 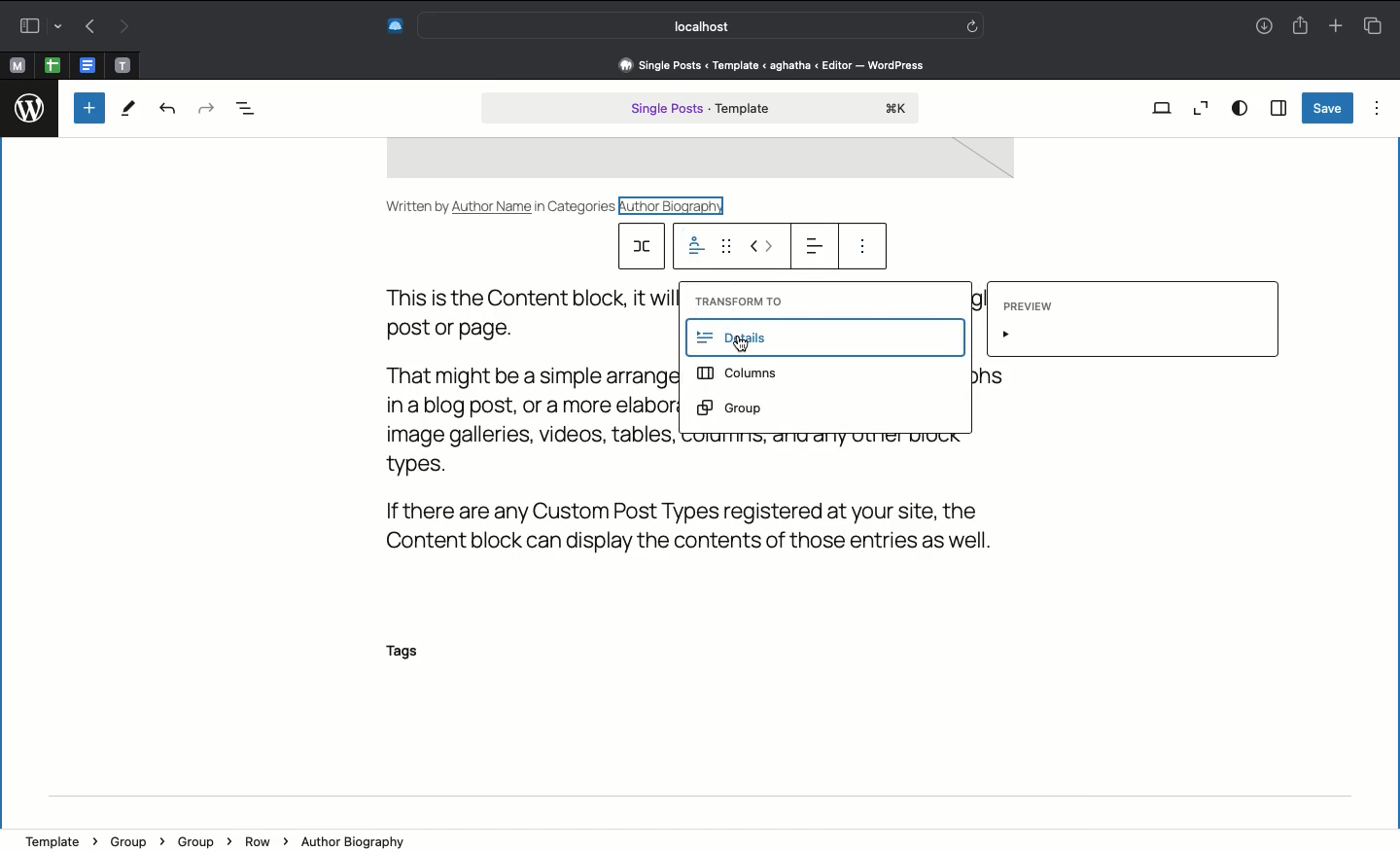 What do you see at coordinates (359, 839) in the screenshot?
I see `Author biography` at bounding box center [359, 839].